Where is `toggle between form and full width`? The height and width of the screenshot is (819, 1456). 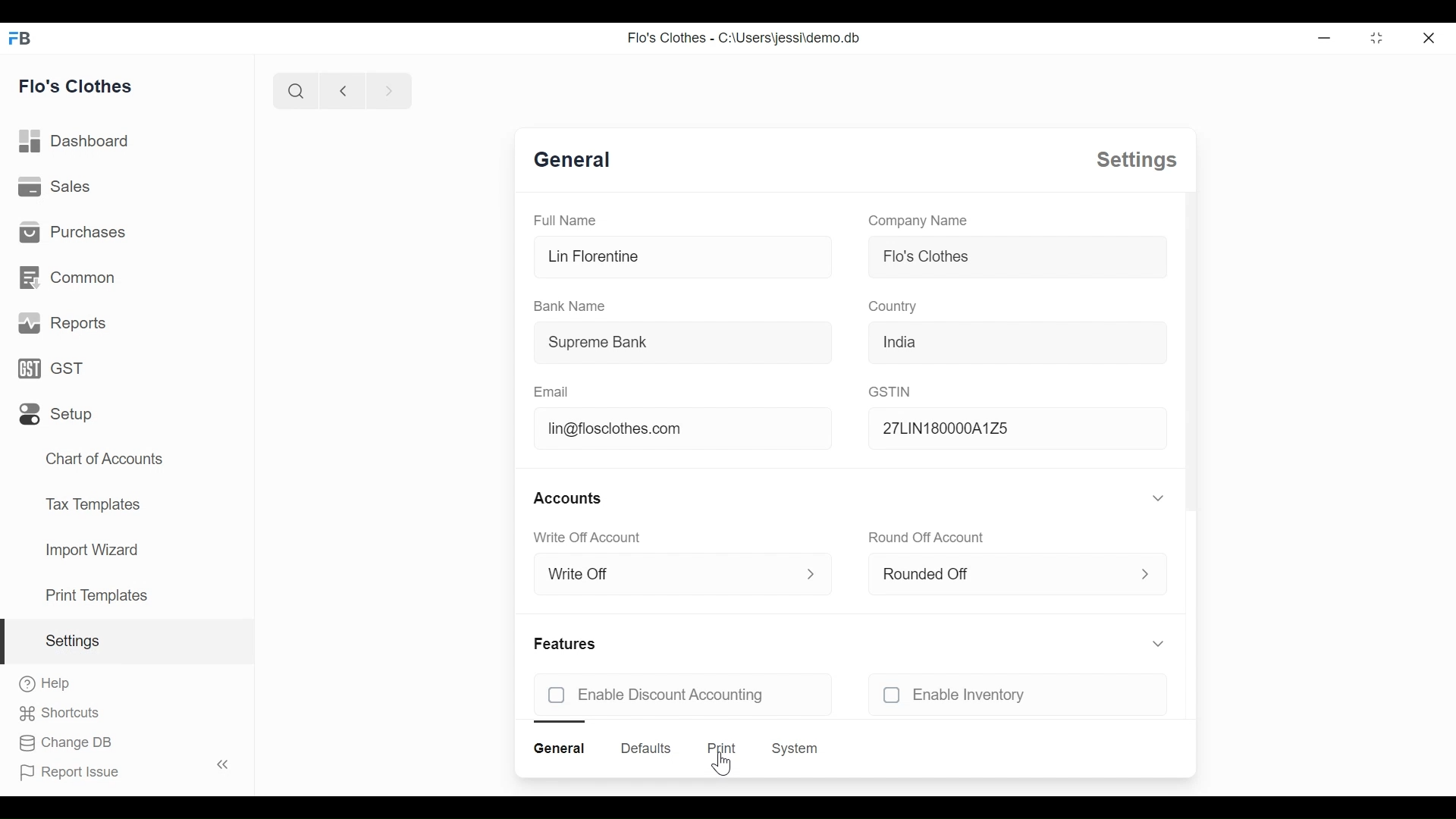
toggle between form and full width is located at coordinates (1377, 38).